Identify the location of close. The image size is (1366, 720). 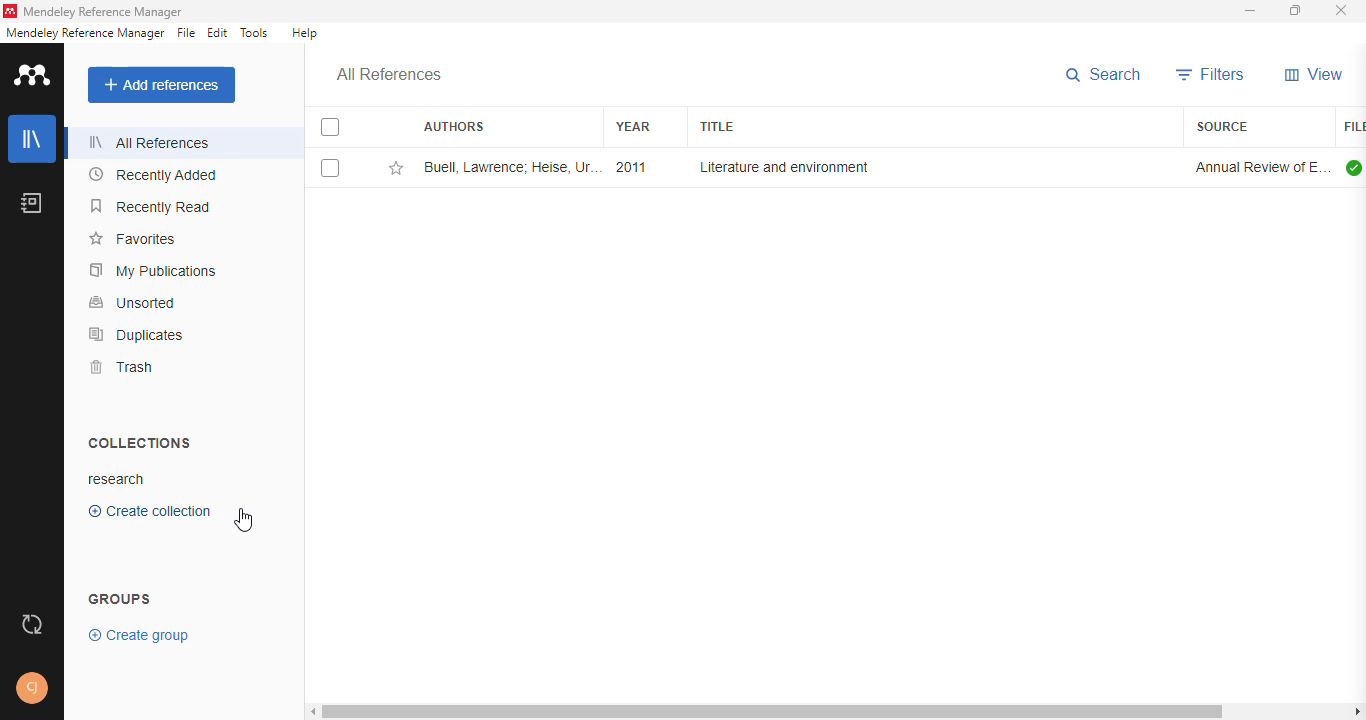
(1342, 10).